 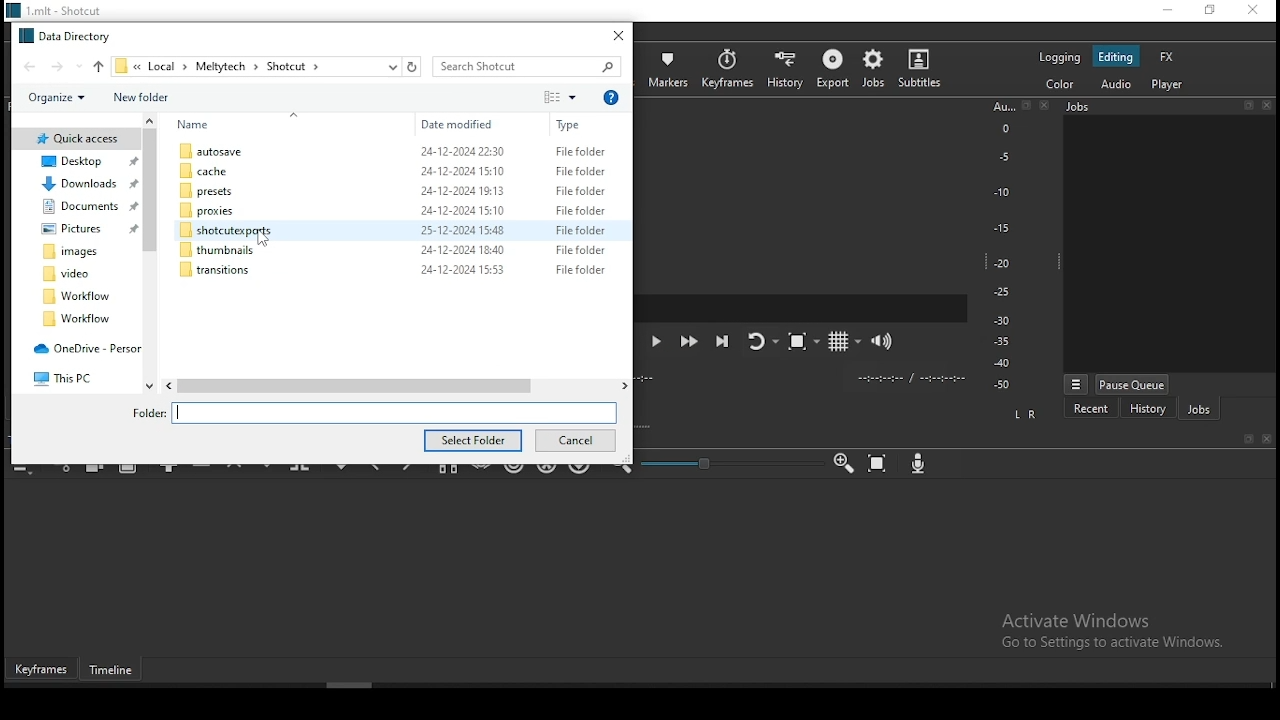 What do you see at coordinates (215, 269) in the screenshot?
I see `local folder` at bounding box center [215, 269].